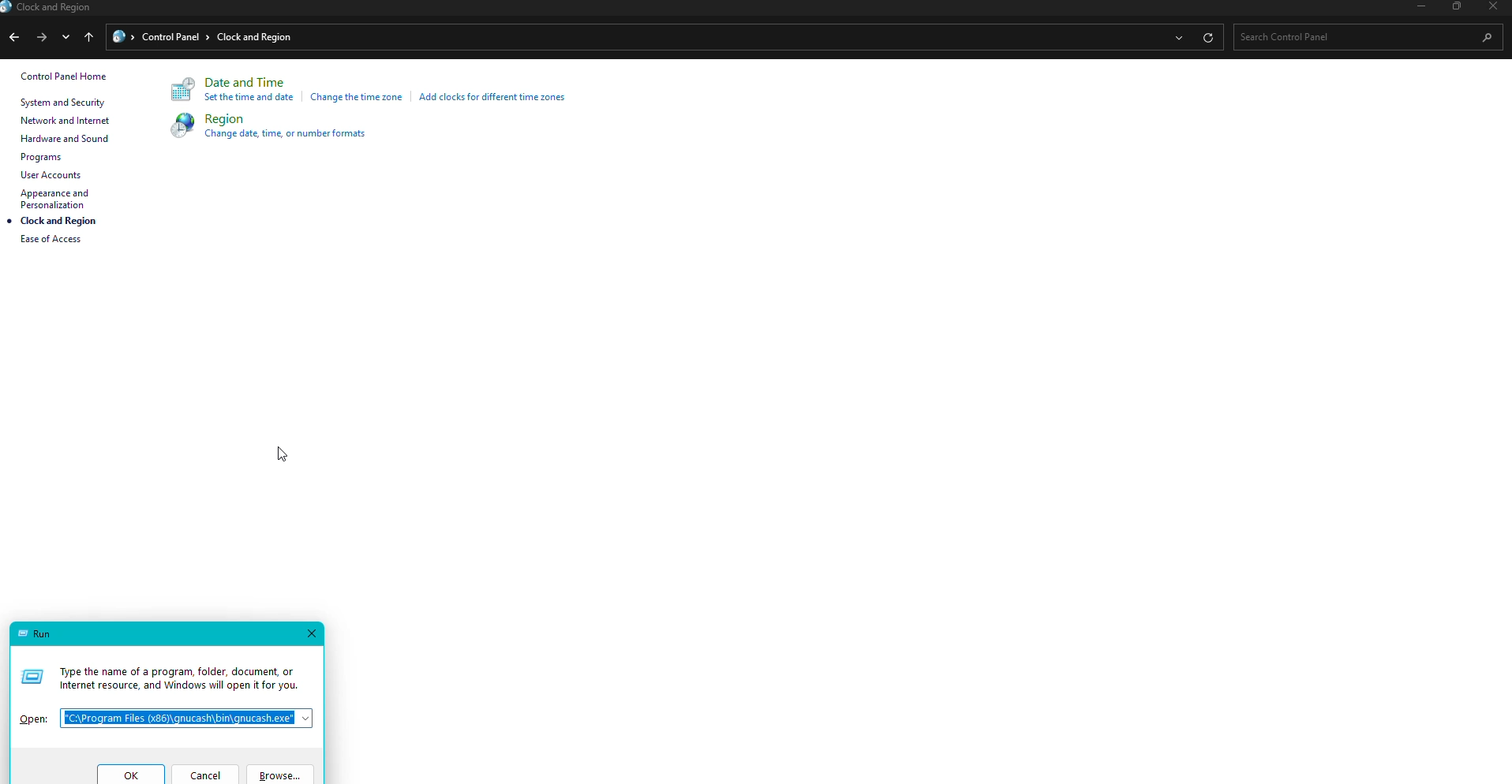  I want to click on Network and internet, so click(65, 123).